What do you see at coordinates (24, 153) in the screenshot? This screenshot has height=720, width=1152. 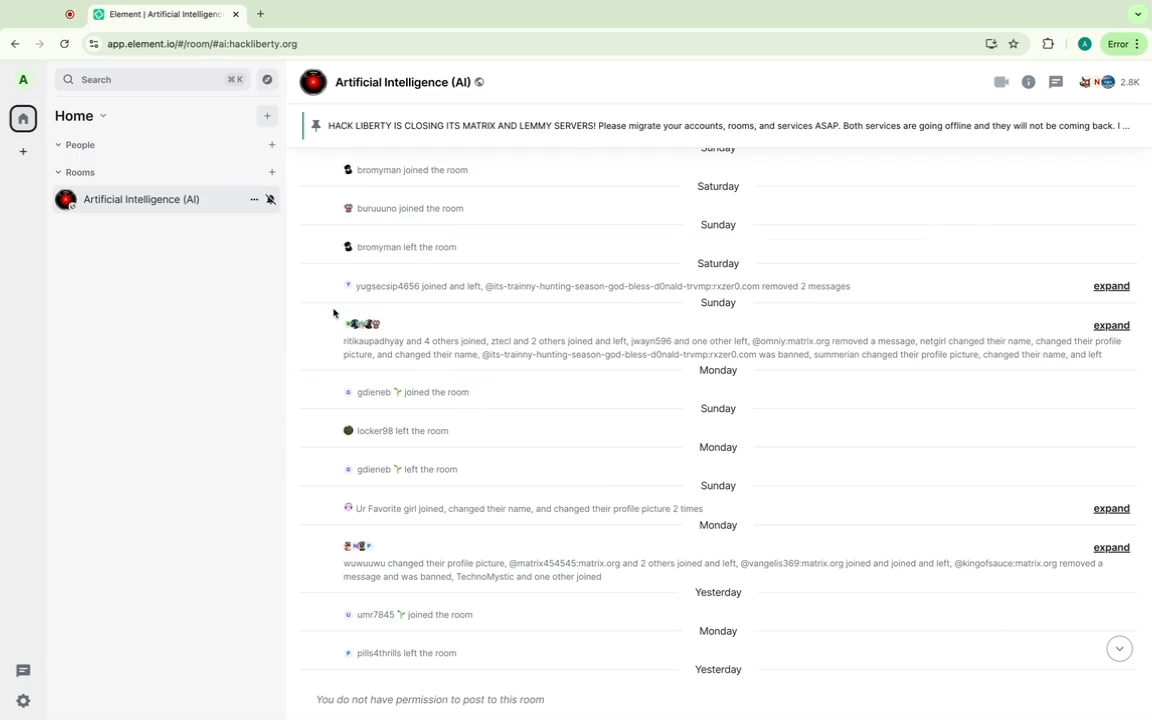 I see `Create space` at bounding box center [24, 153].